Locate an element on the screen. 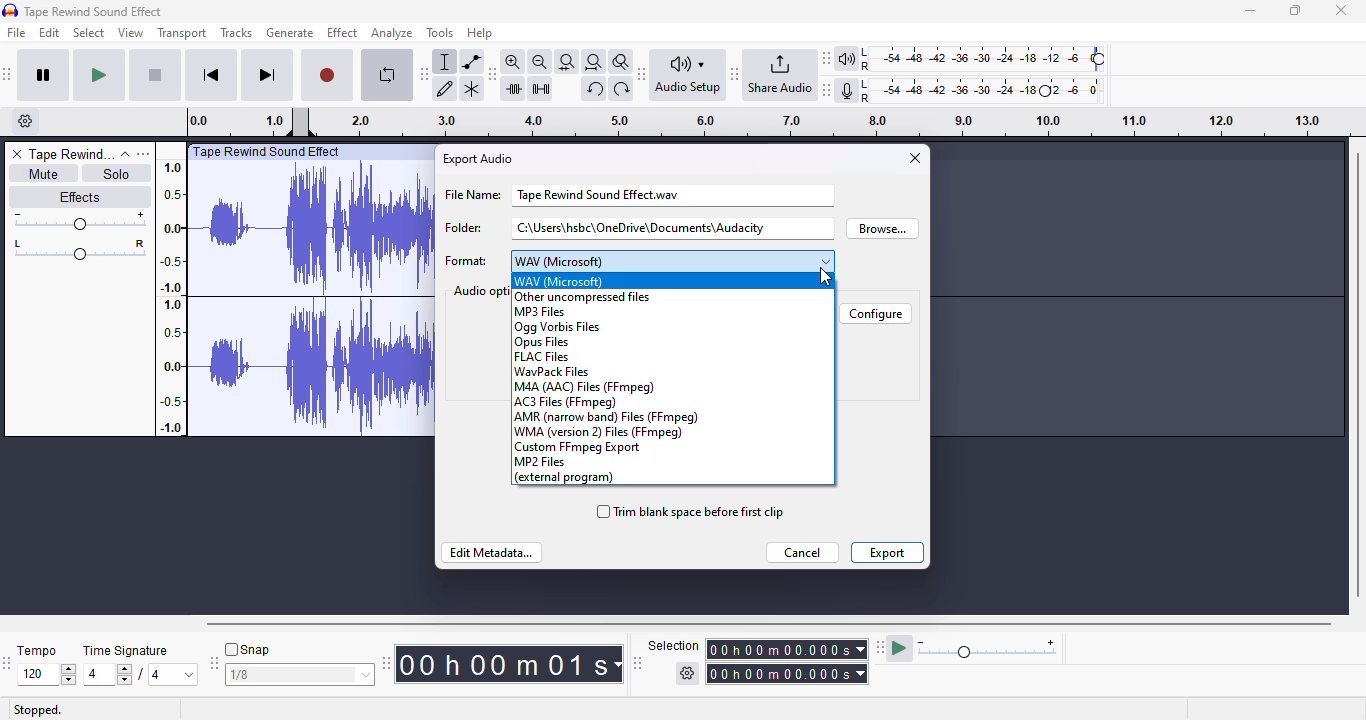 The height and width of the screenshot is (720, 1366). multi-tool is located at coordinates (471, 89).